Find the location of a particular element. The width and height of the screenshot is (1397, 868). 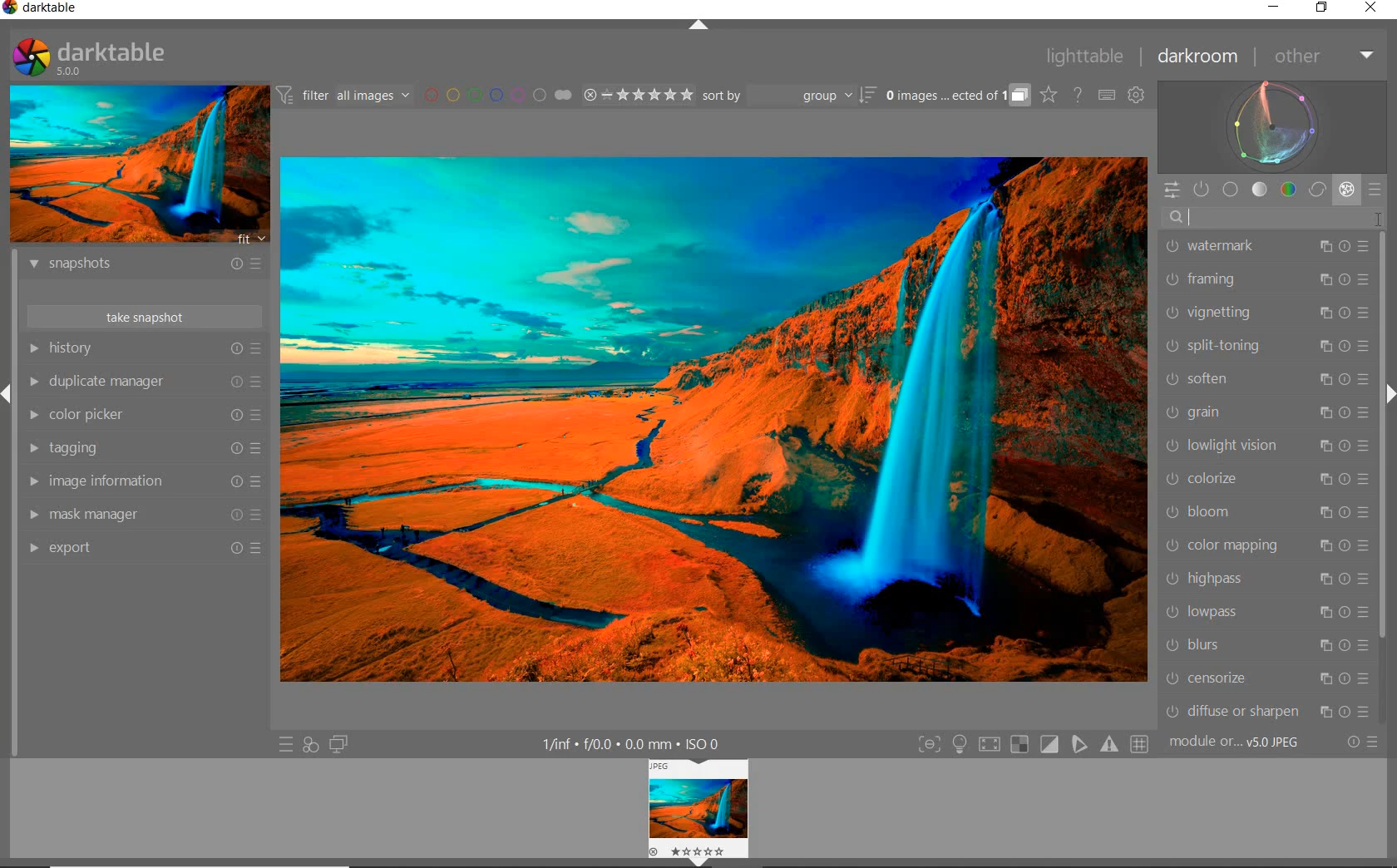

EXPAND/COLLAPSE is located at coordinates (700, 28).